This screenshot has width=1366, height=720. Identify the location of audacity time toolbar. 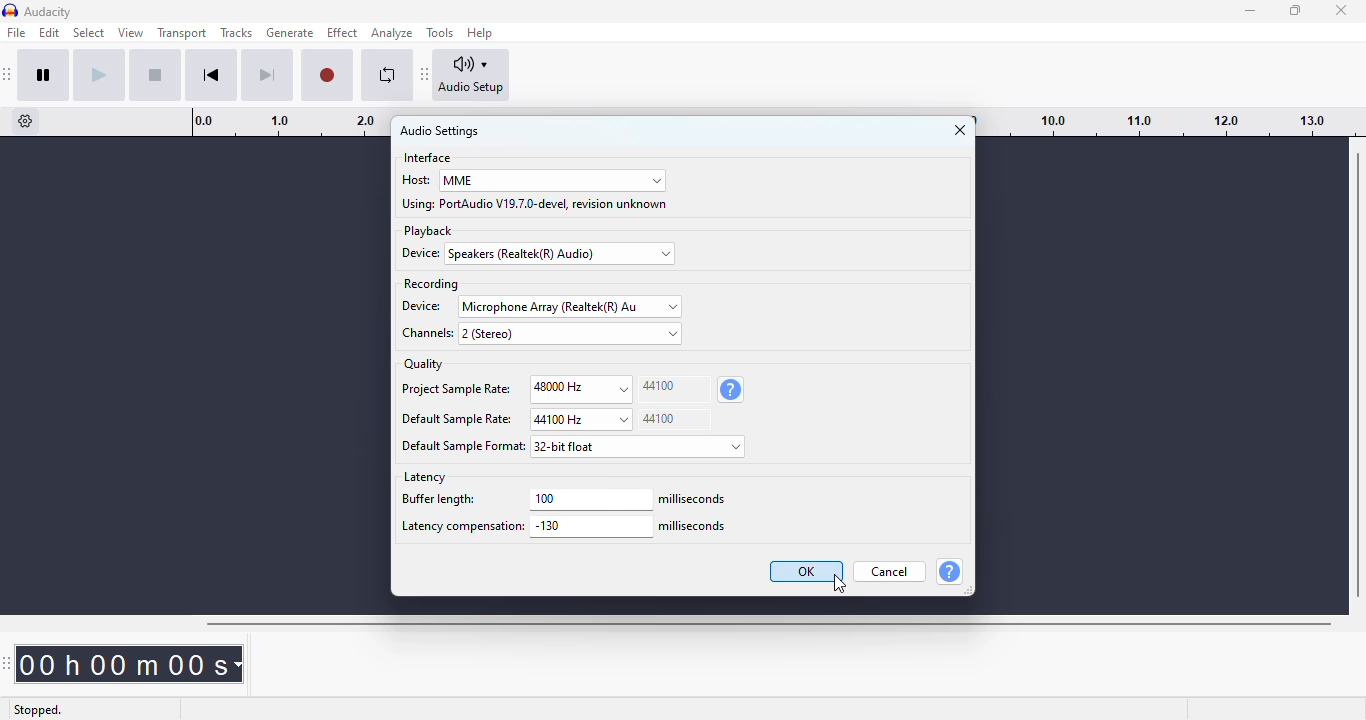
(9, 663).